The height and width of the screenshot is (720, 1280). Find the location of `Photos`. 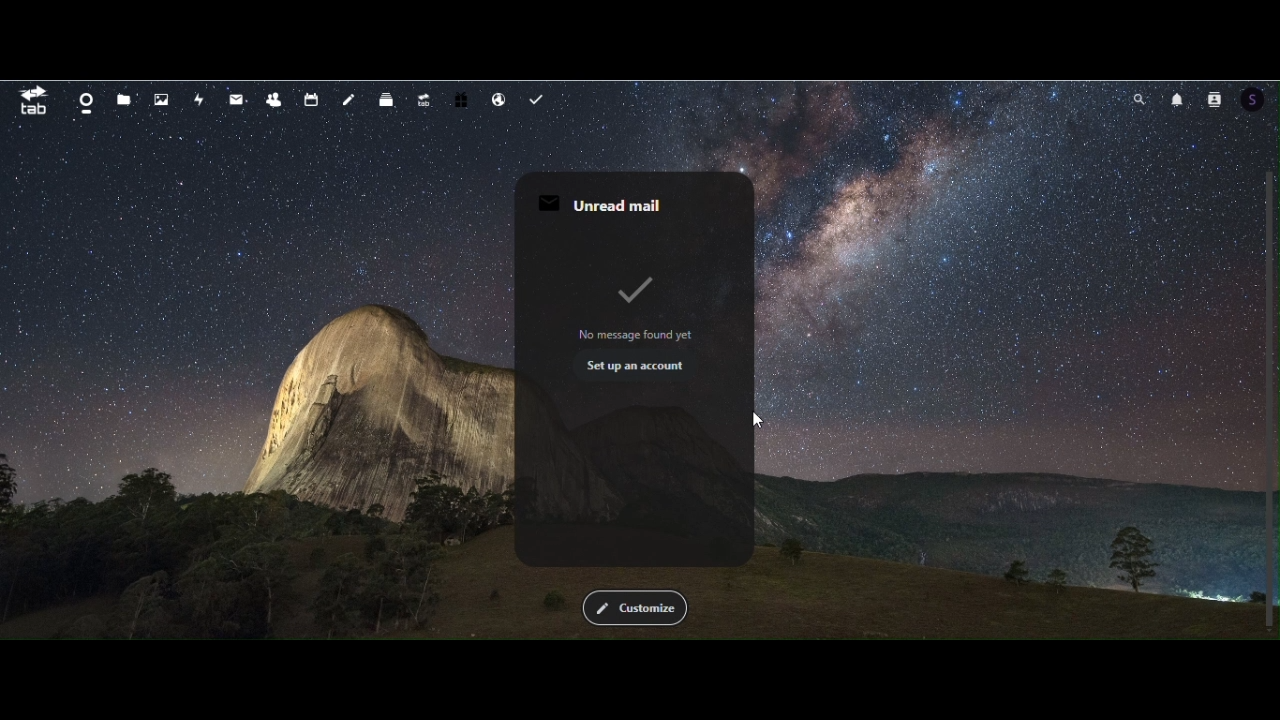

Photos is located at coordinates (162, 101).